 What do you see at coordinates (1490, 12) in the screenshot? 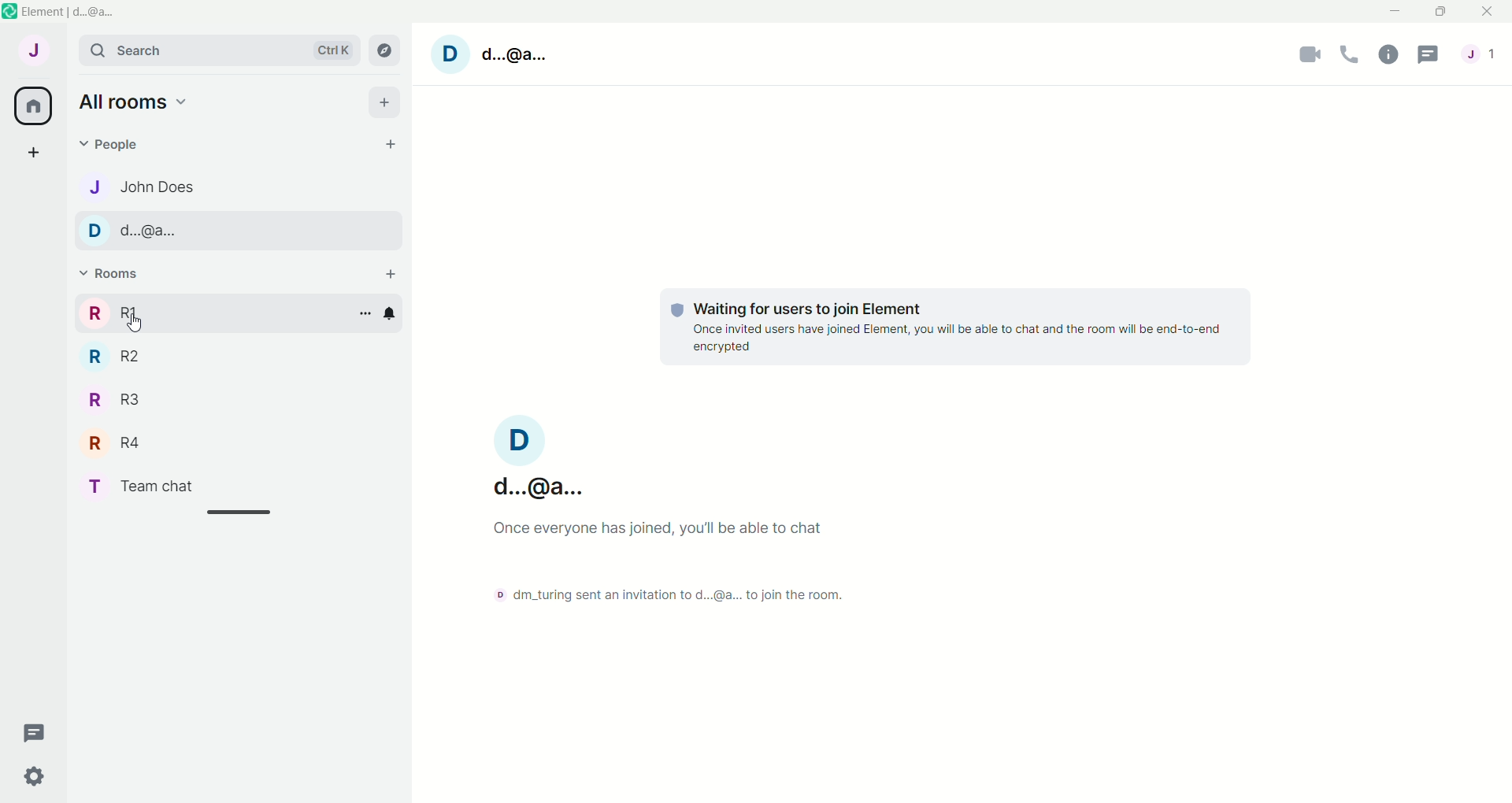
I see `close` at bounding box center [1490, 12].